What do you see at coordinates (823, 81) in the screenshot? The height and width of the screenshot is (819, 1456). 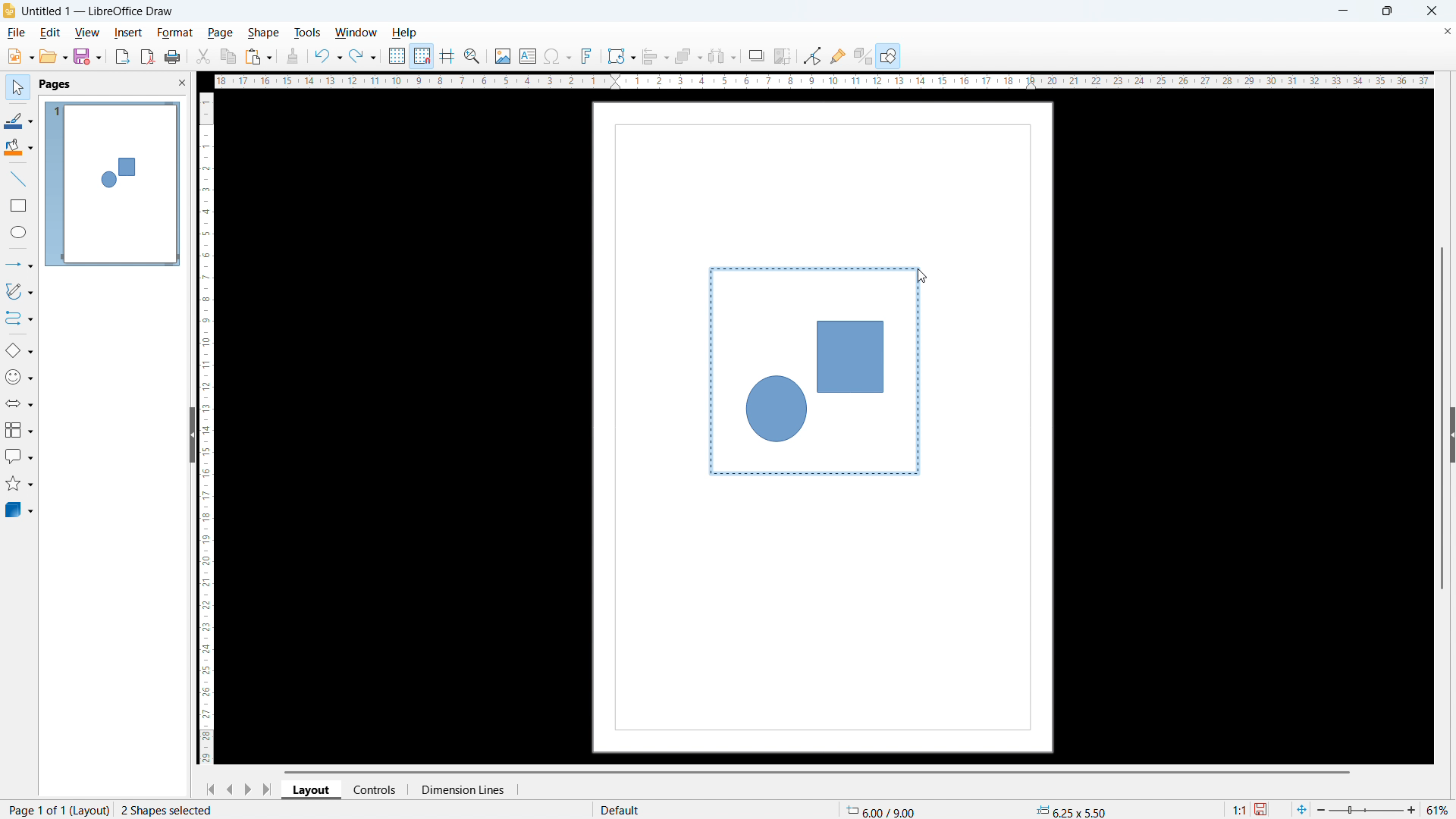 I see `horizontal ruler` at bounding box center [823, 81].